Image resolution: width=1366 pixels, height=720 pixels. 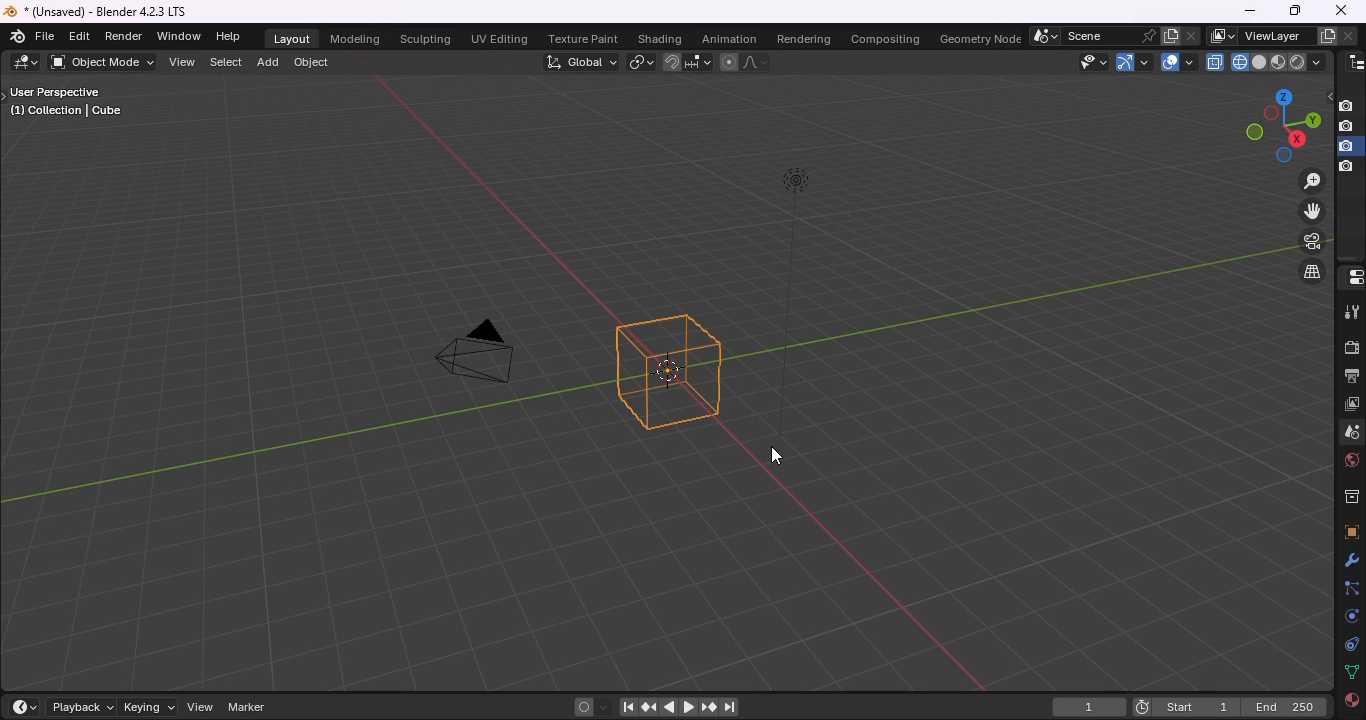 I want to click on object, so click(x=314, y=62).